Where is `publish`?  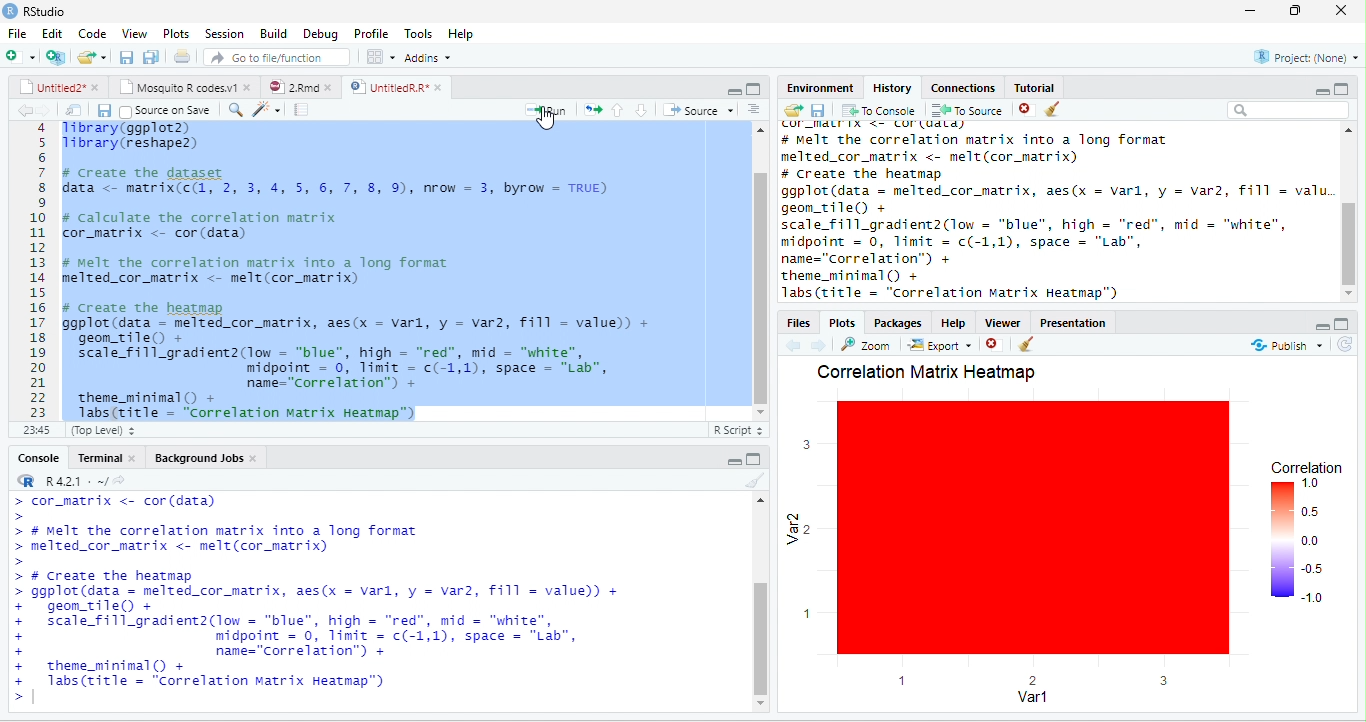 publish is located at coordinates (1278, 347).